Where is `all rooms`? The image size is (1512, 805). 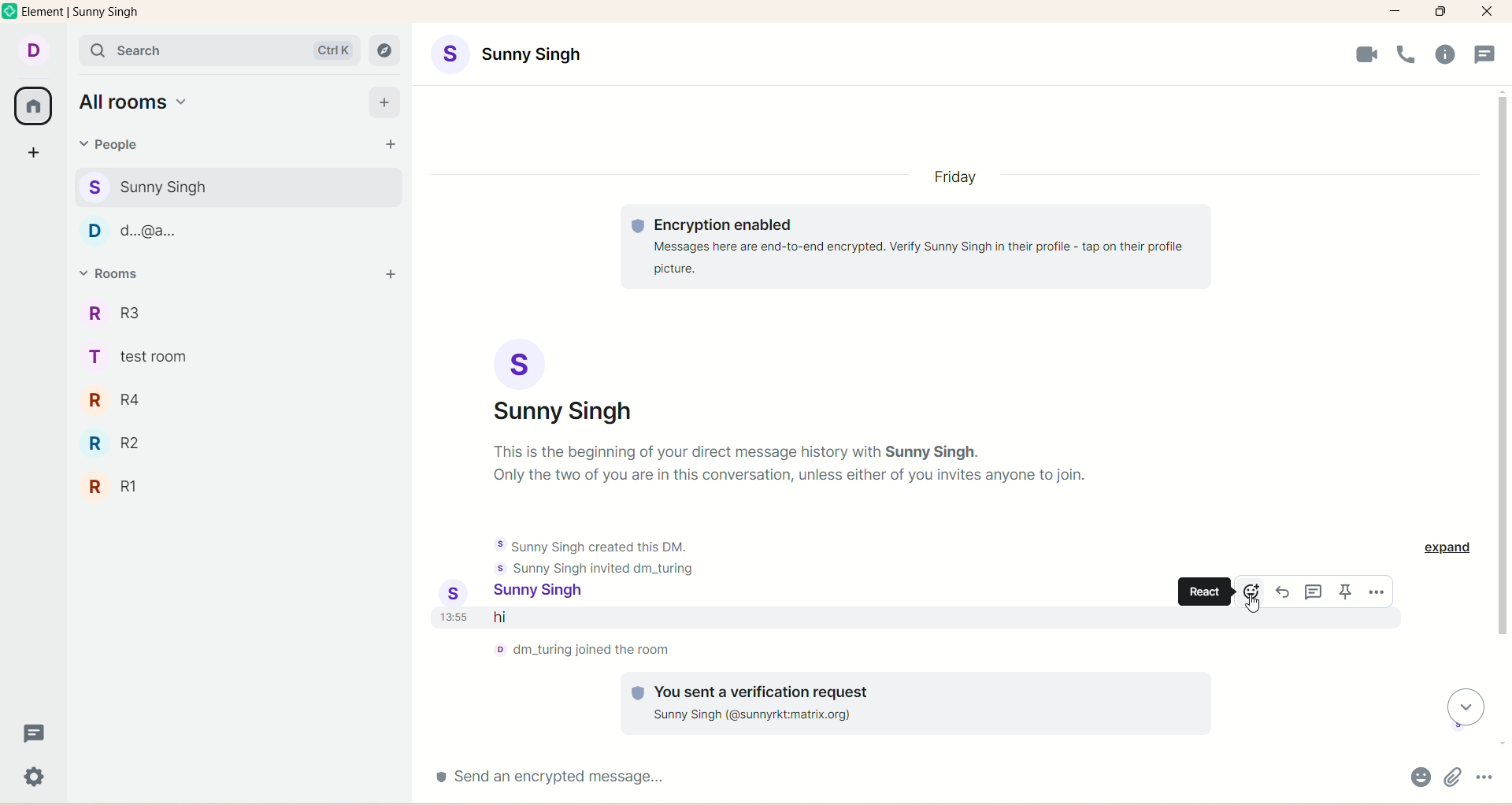
all rooms is located at coordinates (32, 106).